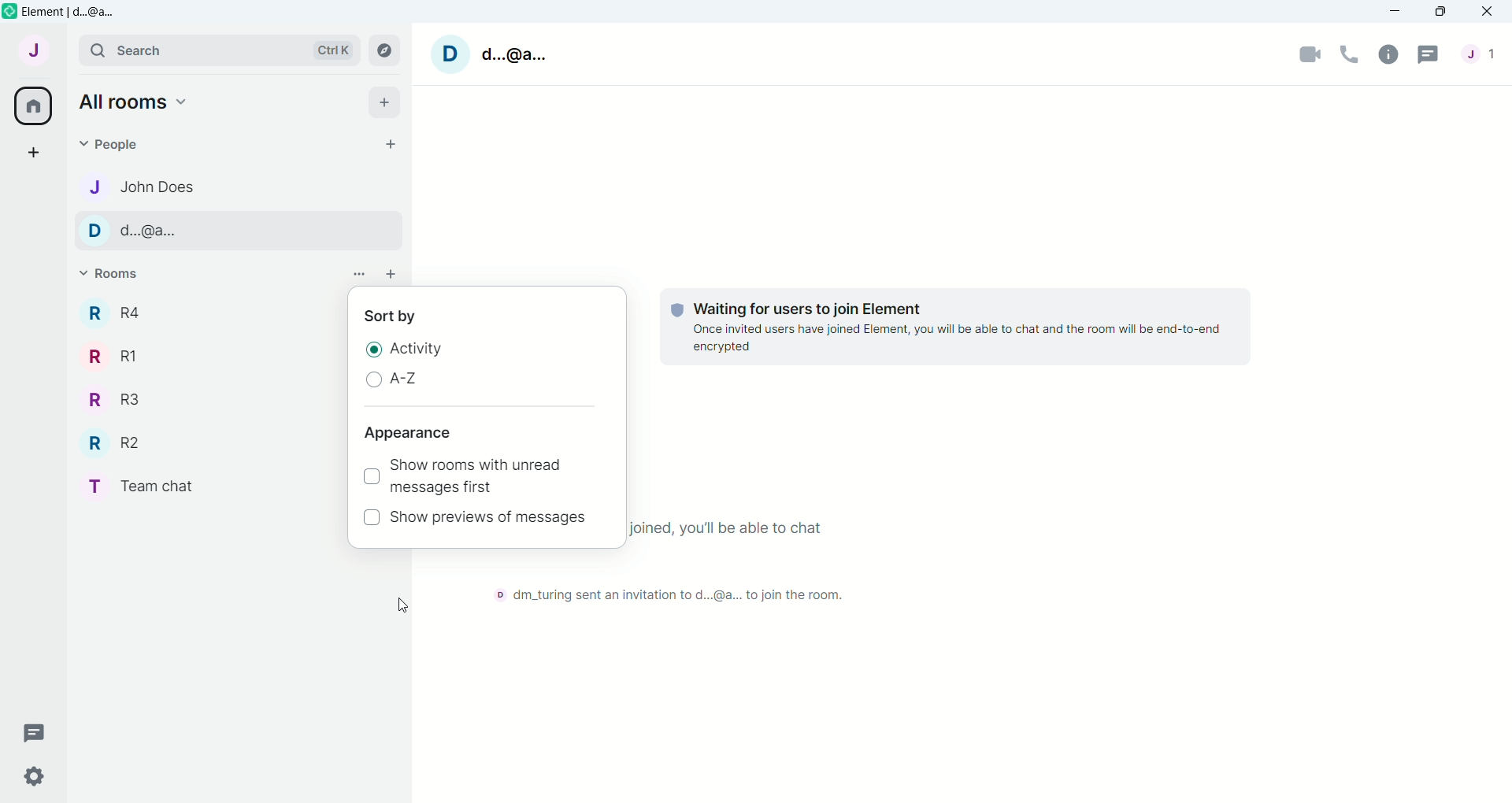  I want to click on Add, so click(384, 104).